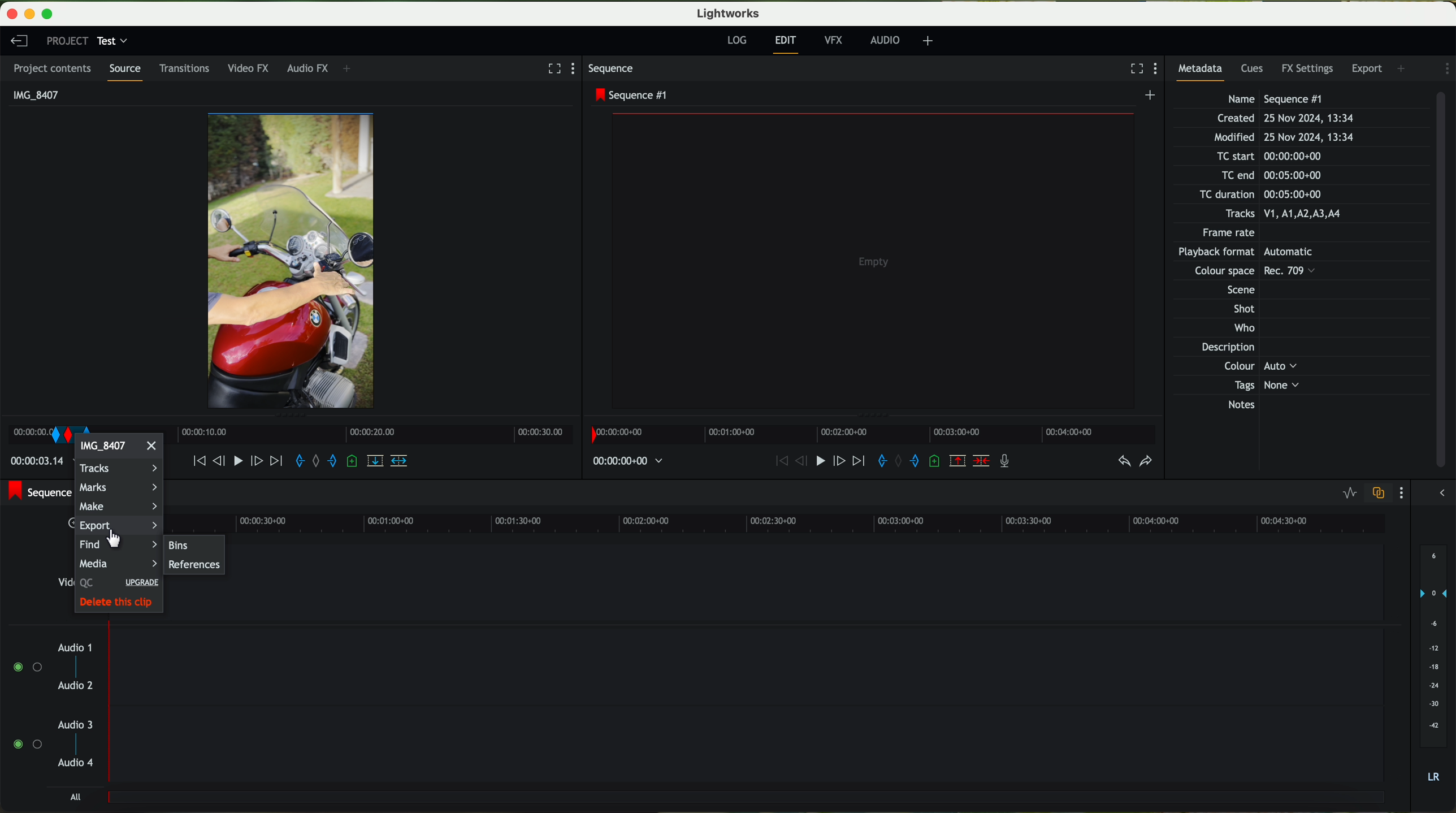 The width and height of the screenshot is (1456, 813). What do you see at coordinates (1285, 119) in the screenshot?
I see `Created` at bounding box center [1285, 119].